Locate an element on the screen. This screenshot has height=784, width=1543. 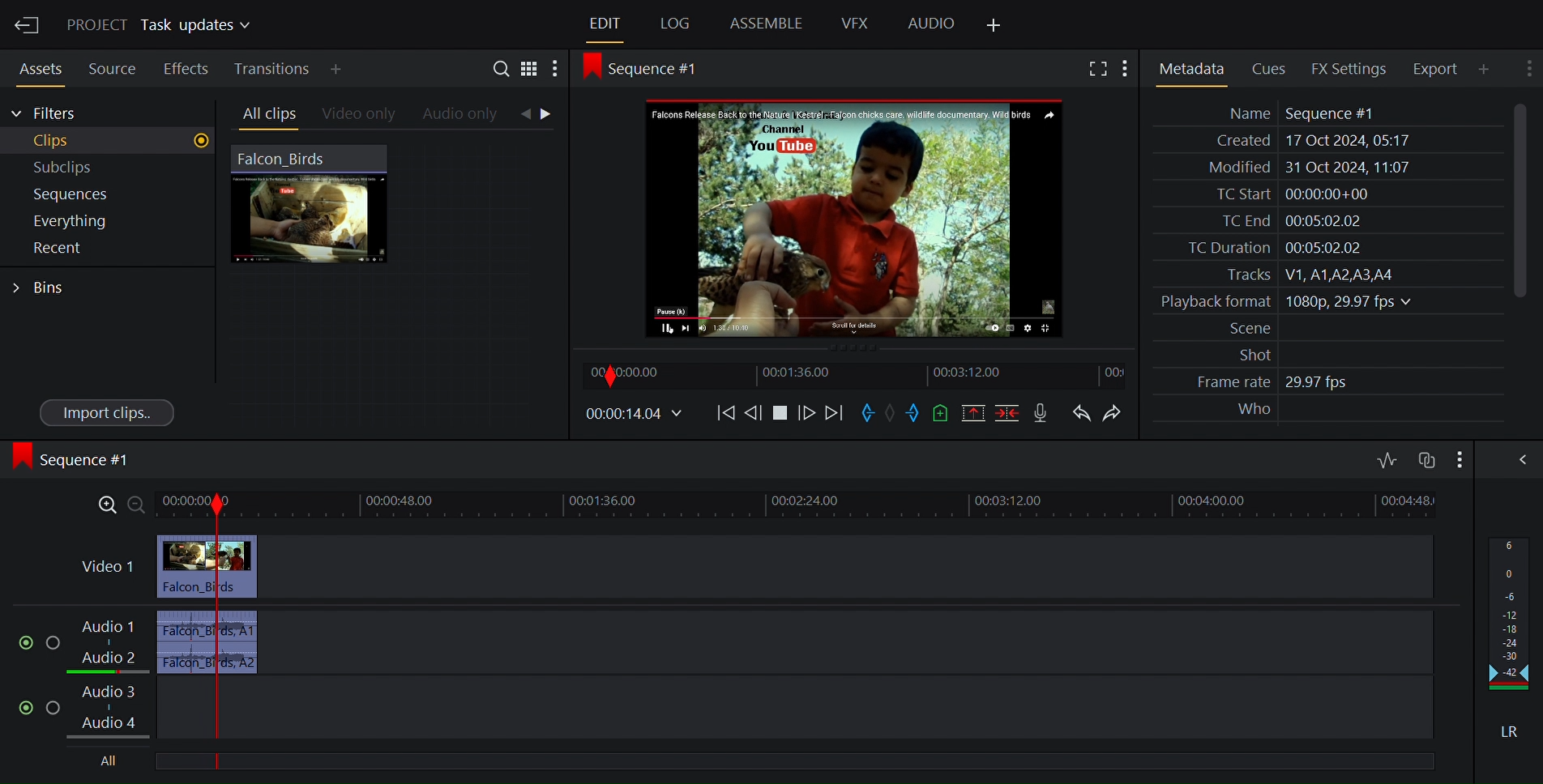
Videos only is located at coordinates (358, 114).